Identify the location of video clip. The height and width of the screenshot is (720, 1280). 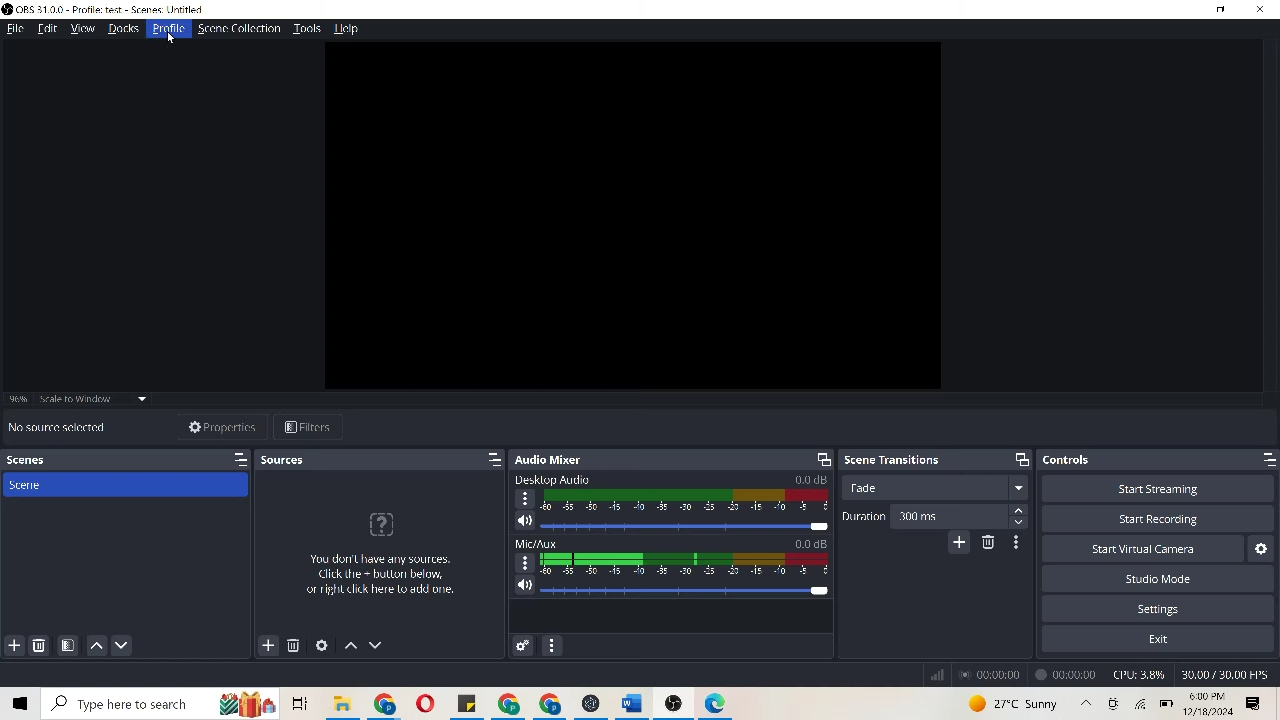
(637, 219).